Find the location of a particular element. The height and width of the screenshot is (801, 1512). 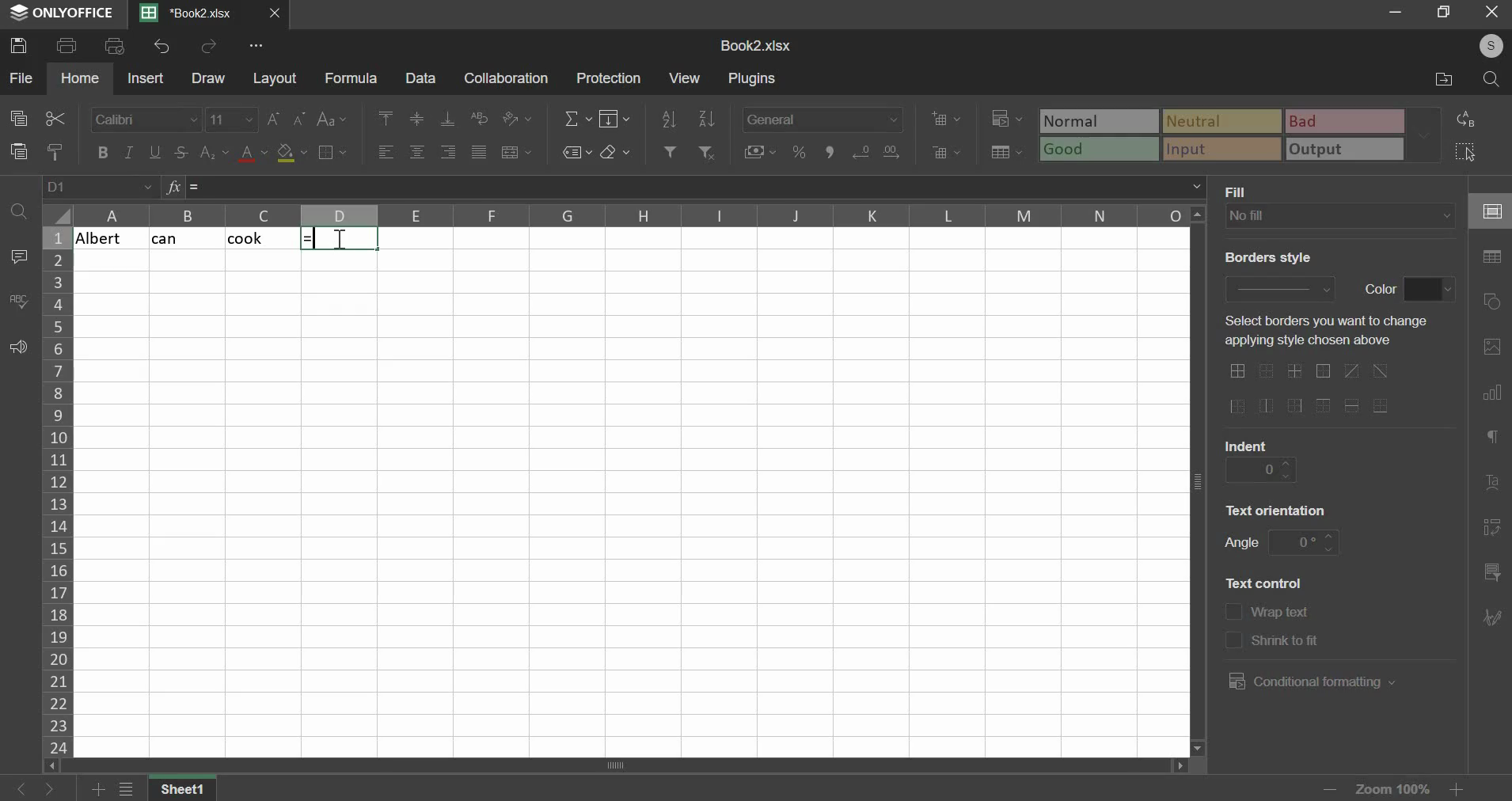

remove filter is located at coordinates (709, 151).